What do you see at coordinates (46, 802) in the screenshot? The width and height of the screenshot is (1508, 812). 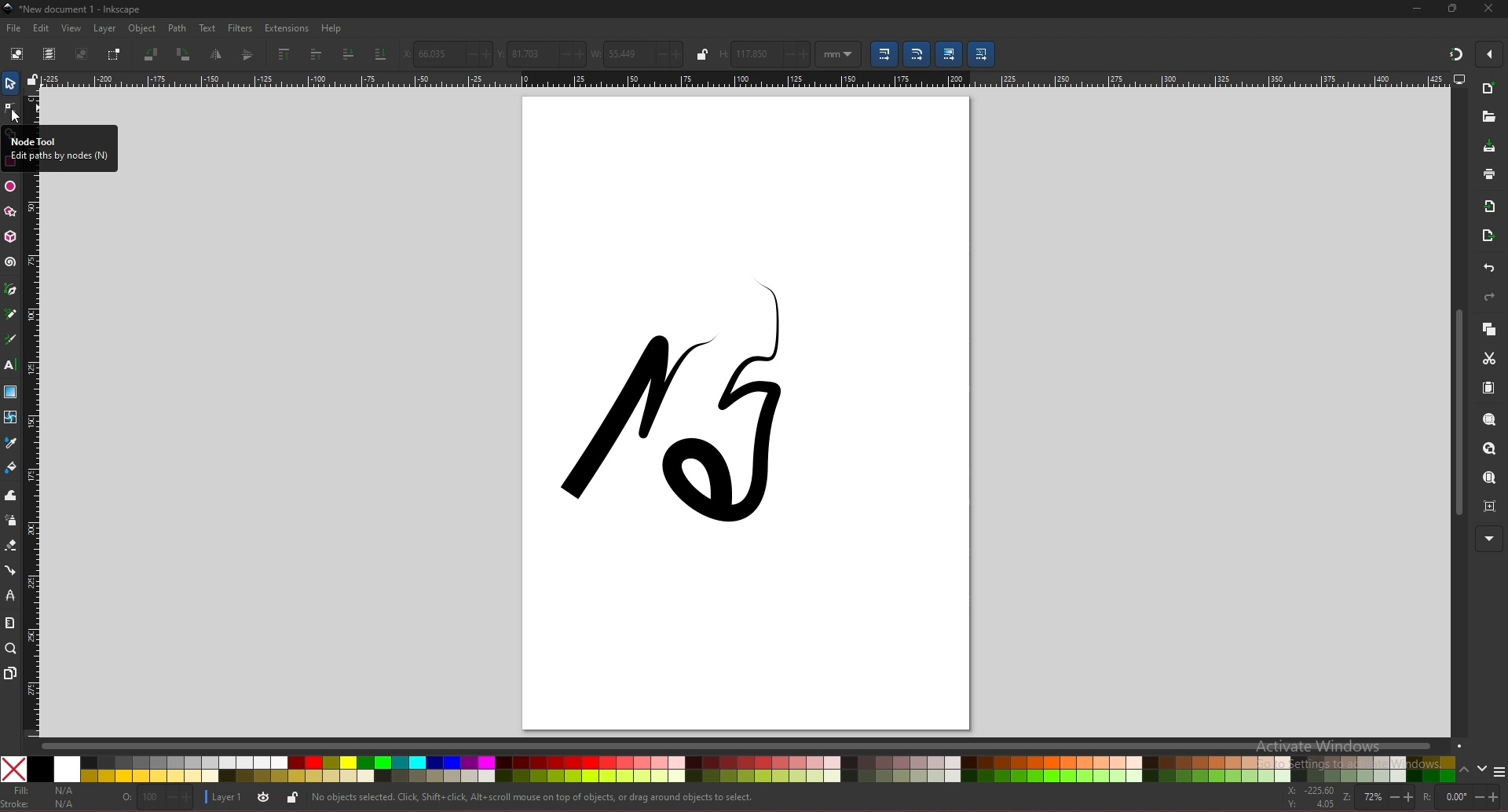 I see `stroke` at bounding box center [46, 802].